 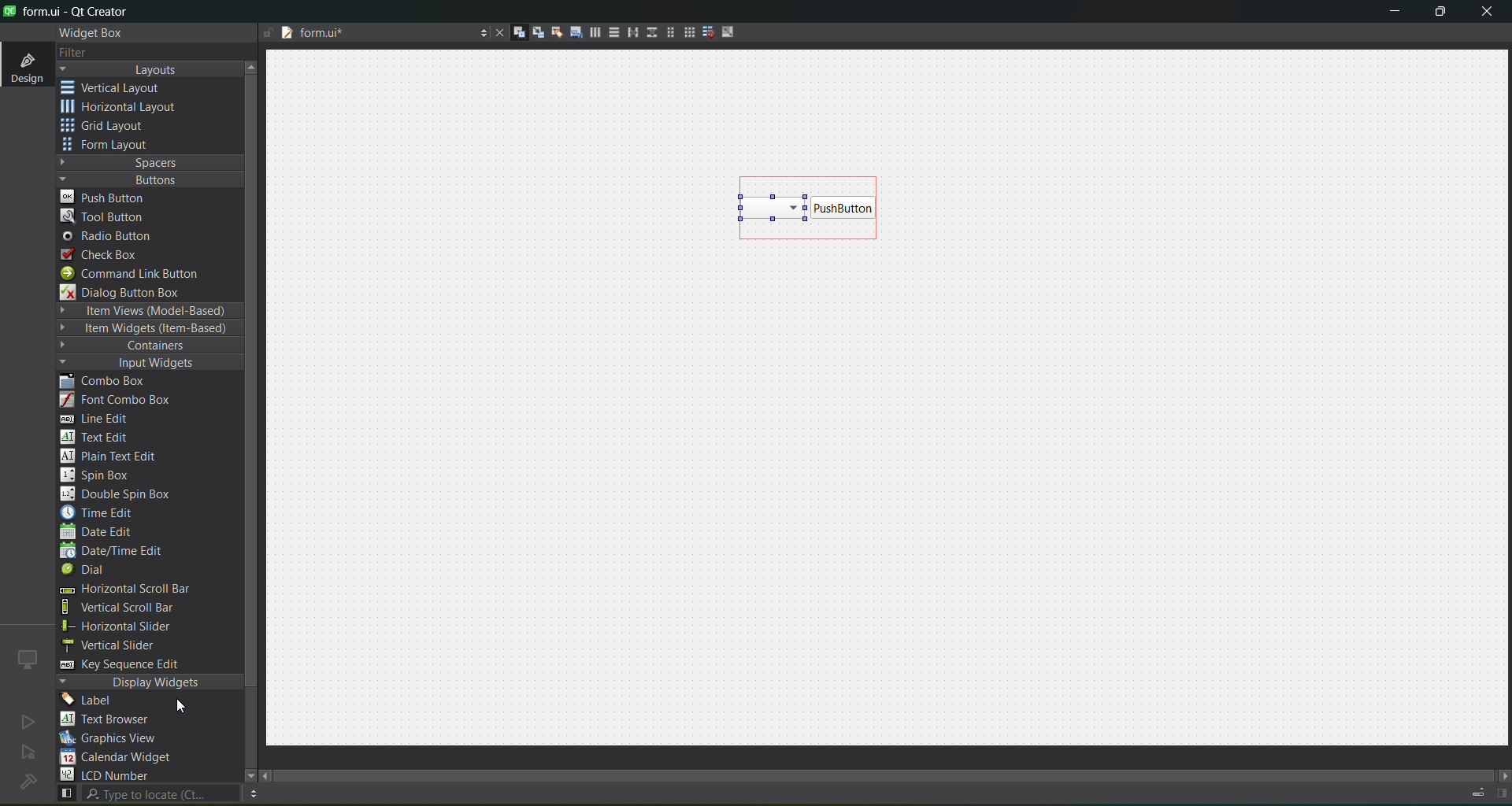 What do you see at coordinates (106, 216) in the screenshot?
I see `tool` at bounding box center [106, 216].